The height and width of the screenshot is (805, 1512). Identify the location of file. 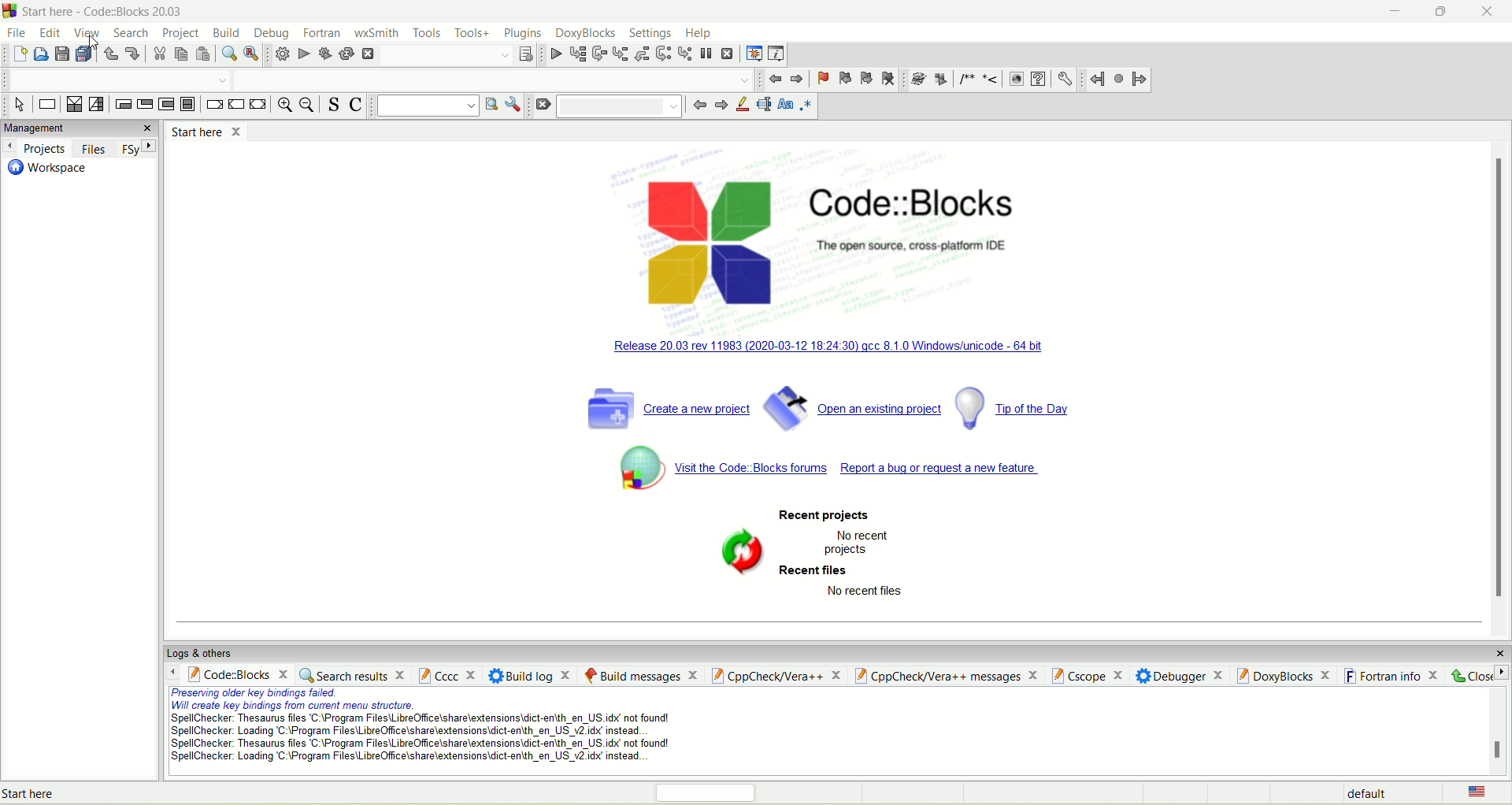
(15, 32).